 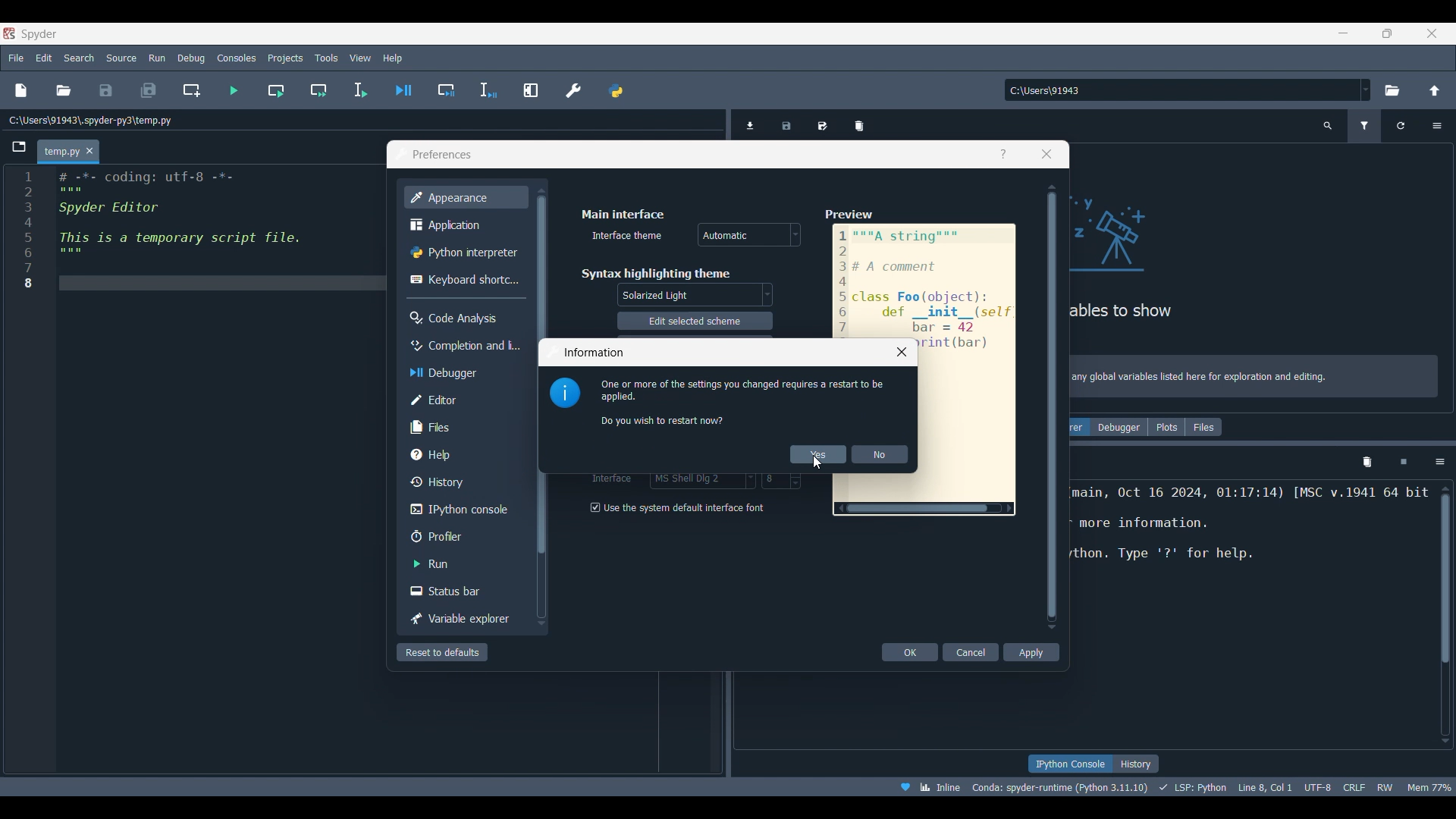 I want to click on variable explorer pane, so click(x=1198, y=261).